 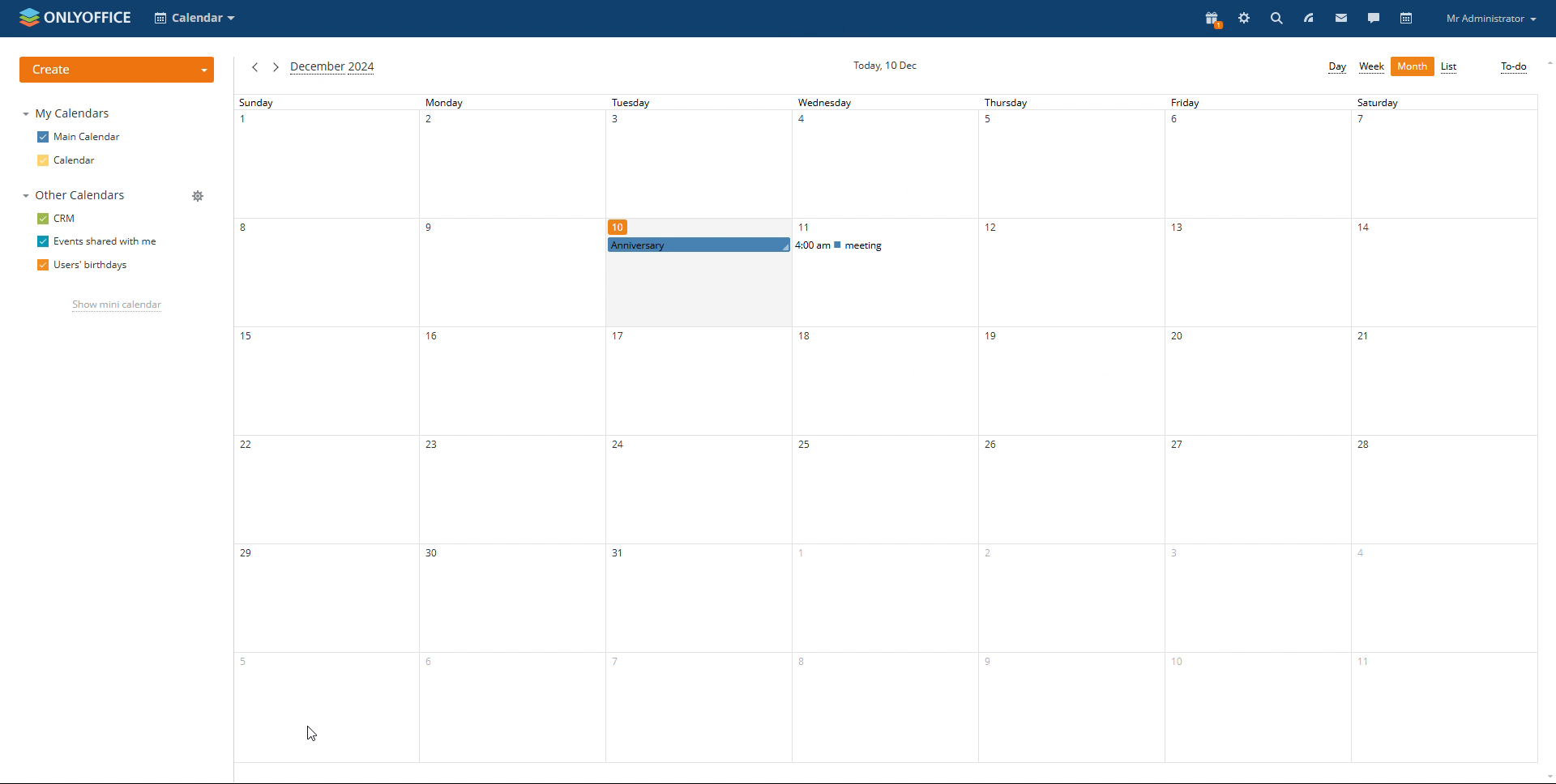 What do you see at coordinates (885, 165) in the screenshot?
I see `wednesday` at bounding box center [885, 165].